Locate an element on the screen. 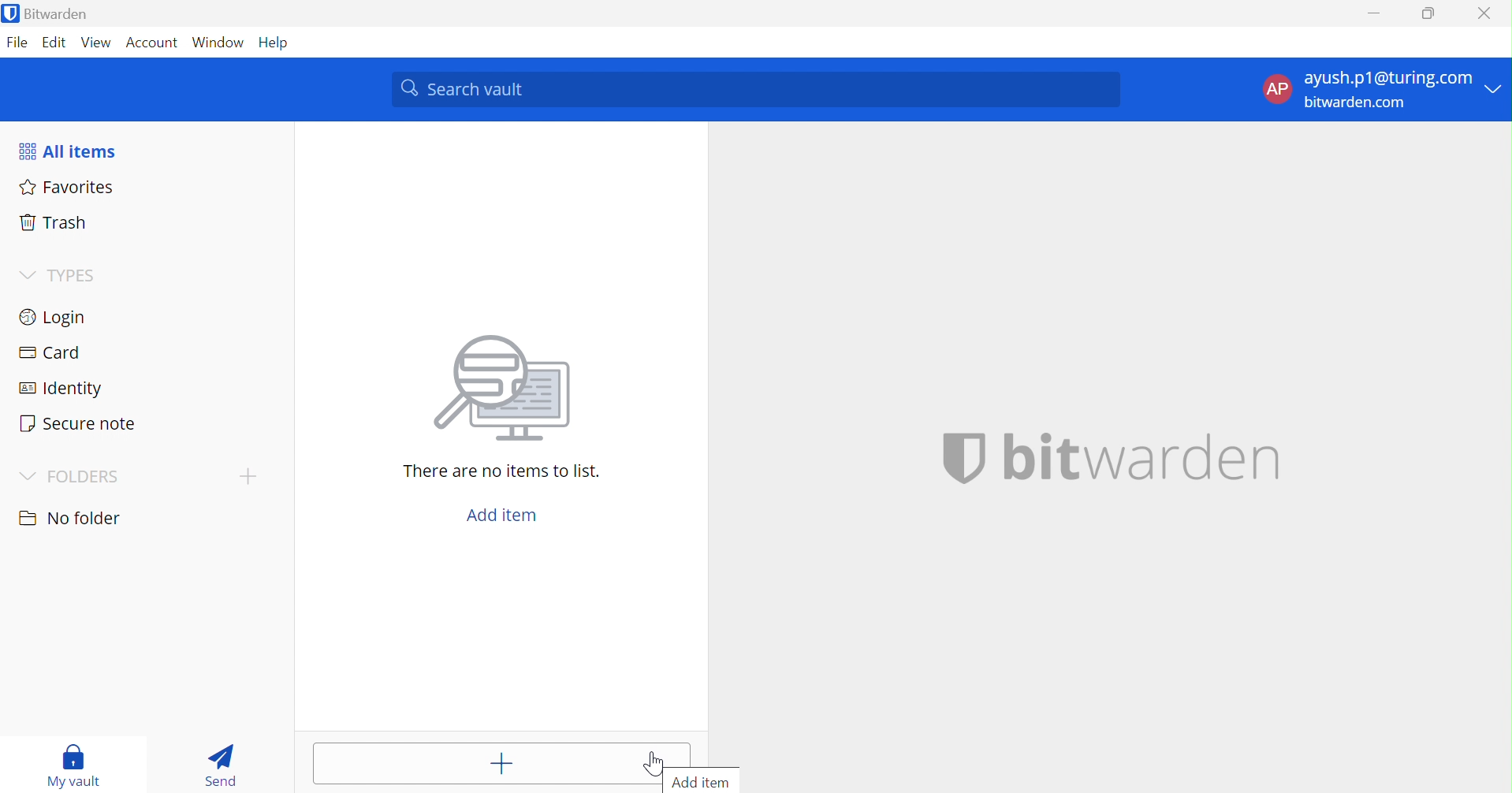 The height and width of the screenshot is (793, 1512). My vault is located at coordinates (73, 765).